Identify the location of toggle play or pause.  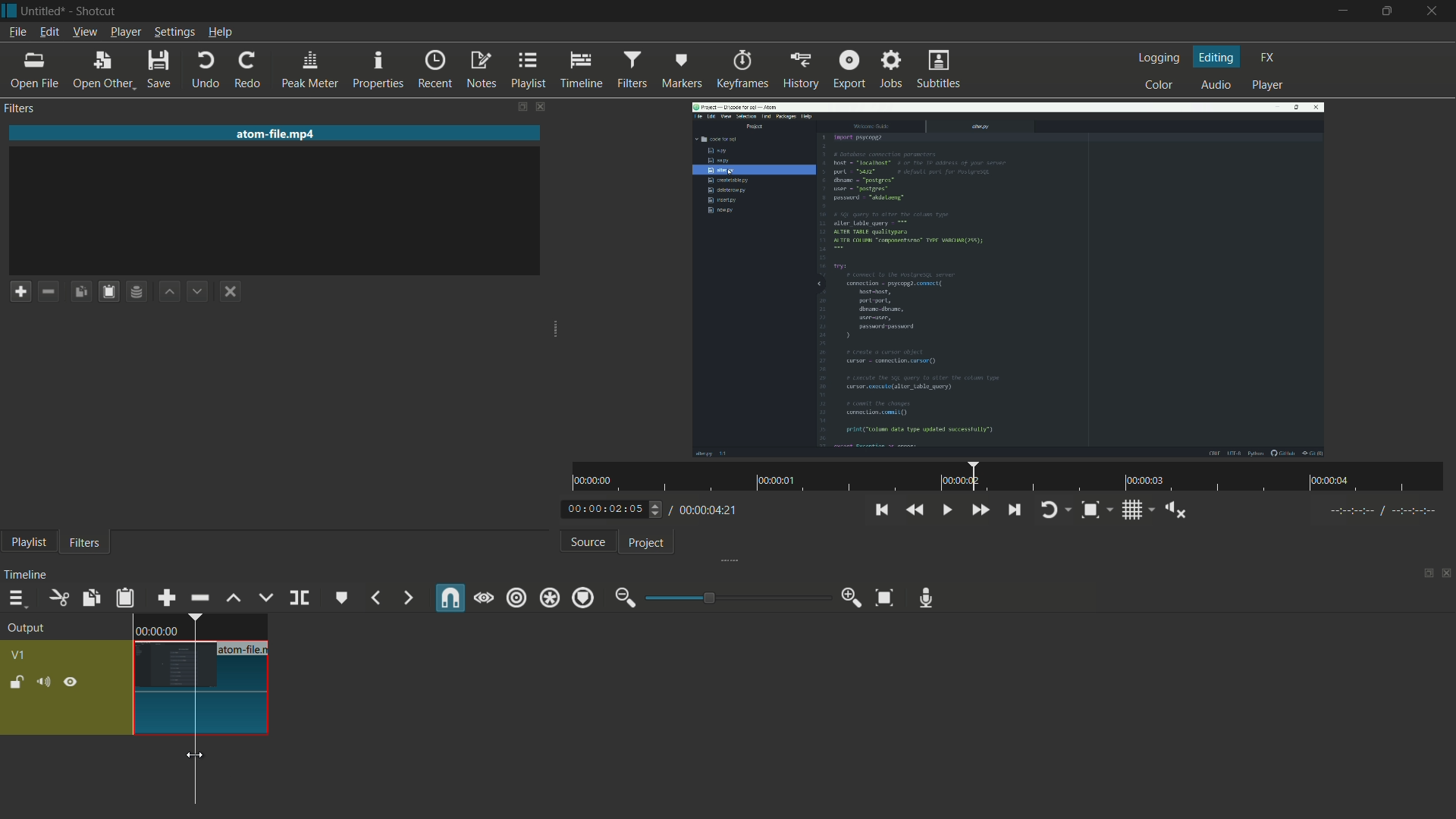
(947, 510).